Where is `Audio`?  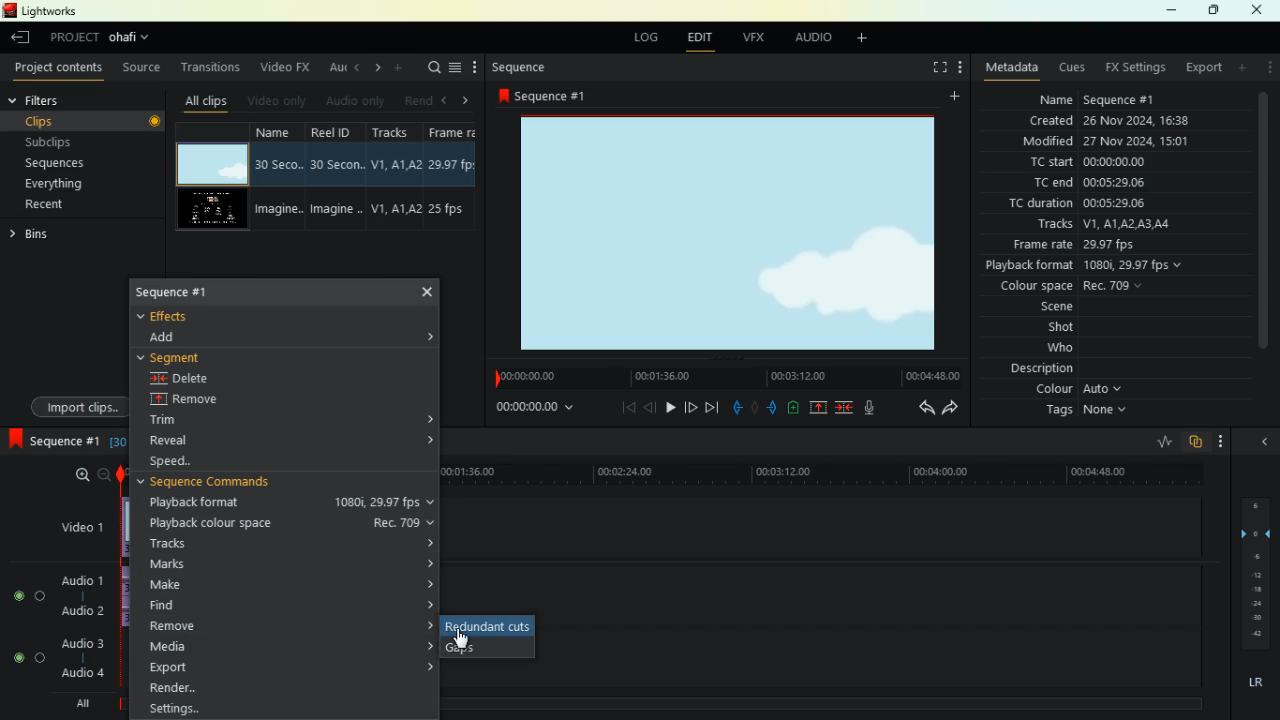 Audio is located at coordinates (85, 612).